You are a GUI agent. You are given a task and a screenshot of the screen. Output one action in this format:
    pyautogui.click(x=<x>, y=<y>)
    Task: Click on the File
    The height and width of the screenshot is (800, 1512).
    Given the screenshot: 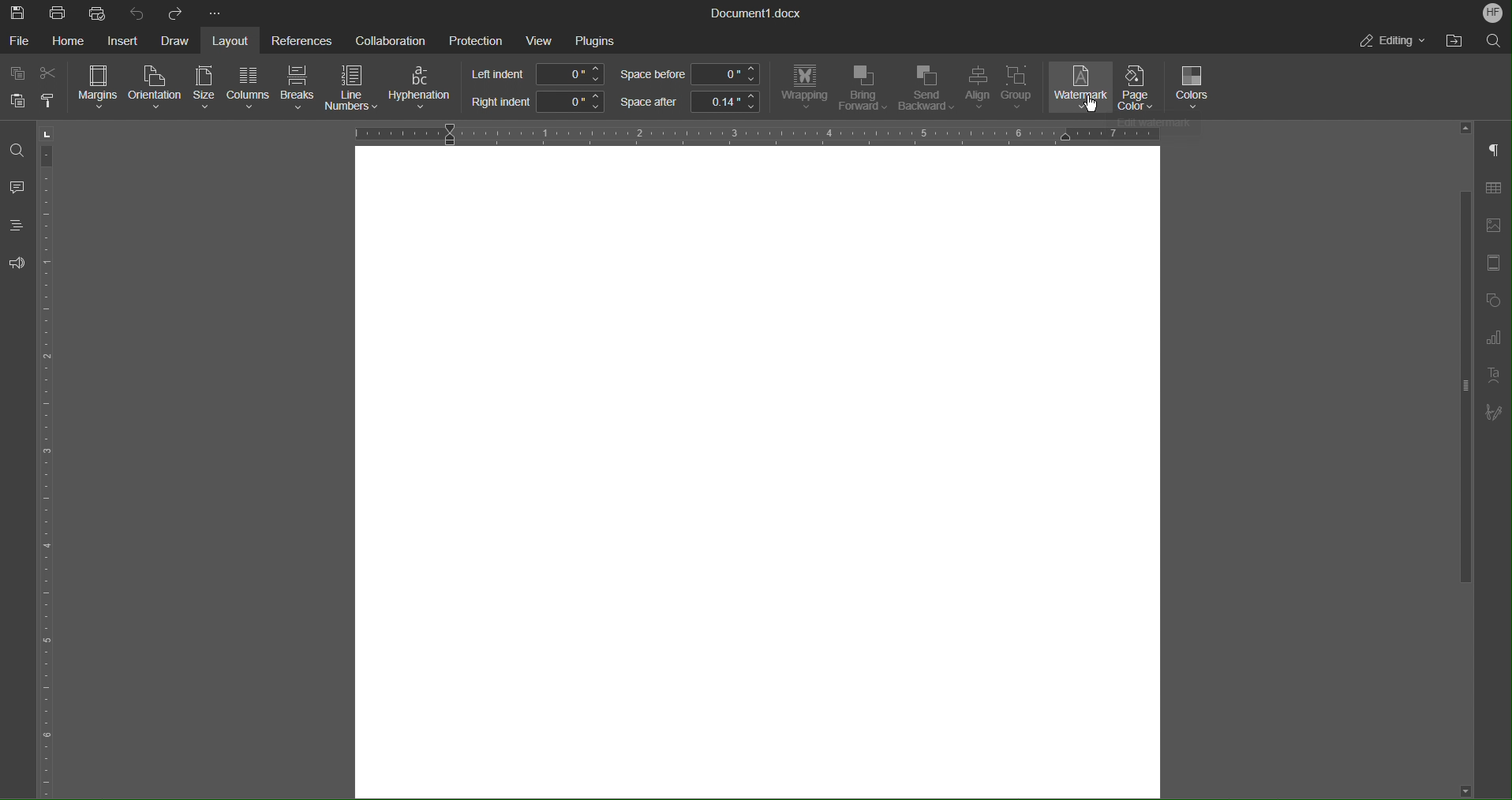 What is the action you would take?
    pyautogui.click(x=21, y=40)
    